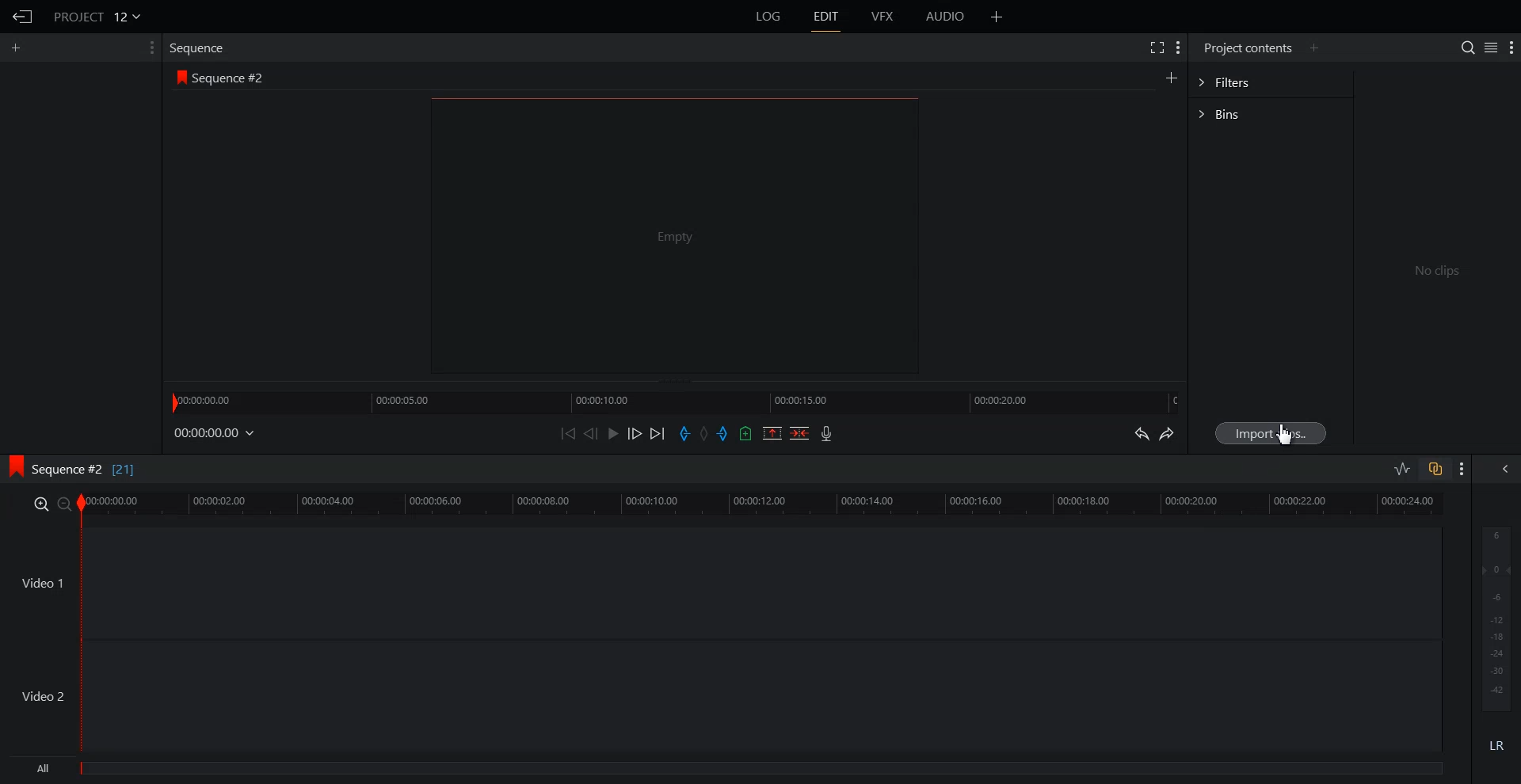 This screenshot has width=1521, height=784. What do you see at coordinates (1158, 48) in the screenshot?
I see `Full Screen` at bounding box center [1158, 48].